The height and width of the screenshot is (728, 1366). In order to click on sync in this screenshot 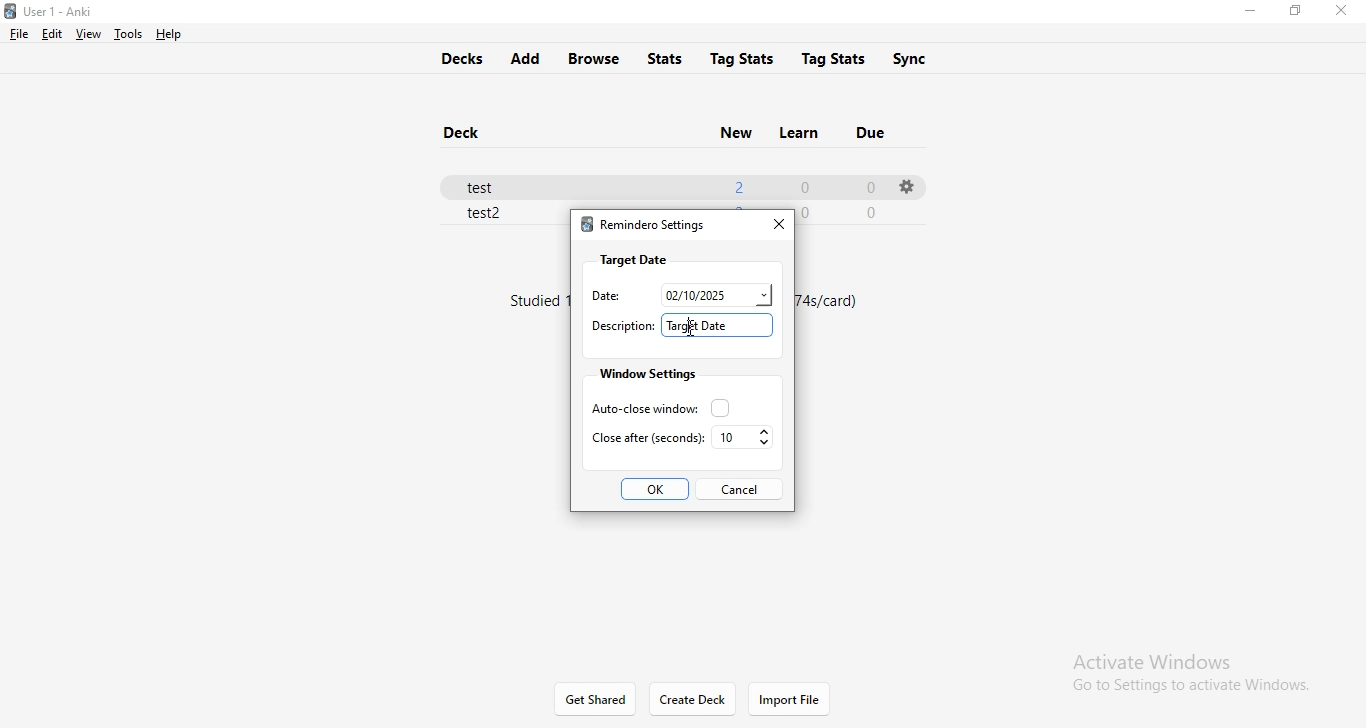, I will do `click(923, 59)`.